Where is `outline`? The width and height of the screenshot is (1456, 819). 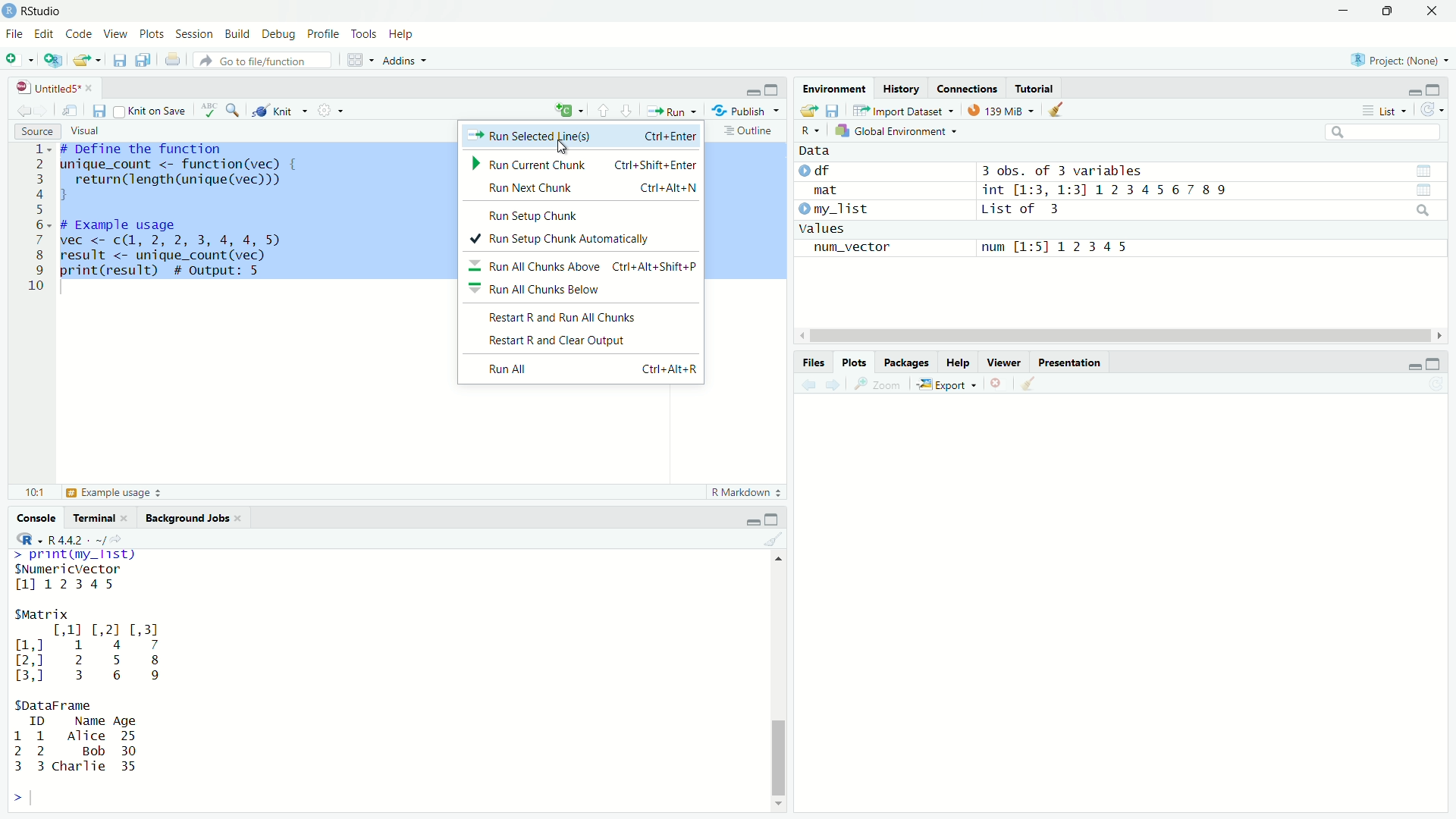
outline is located at coordinates (752, 131).